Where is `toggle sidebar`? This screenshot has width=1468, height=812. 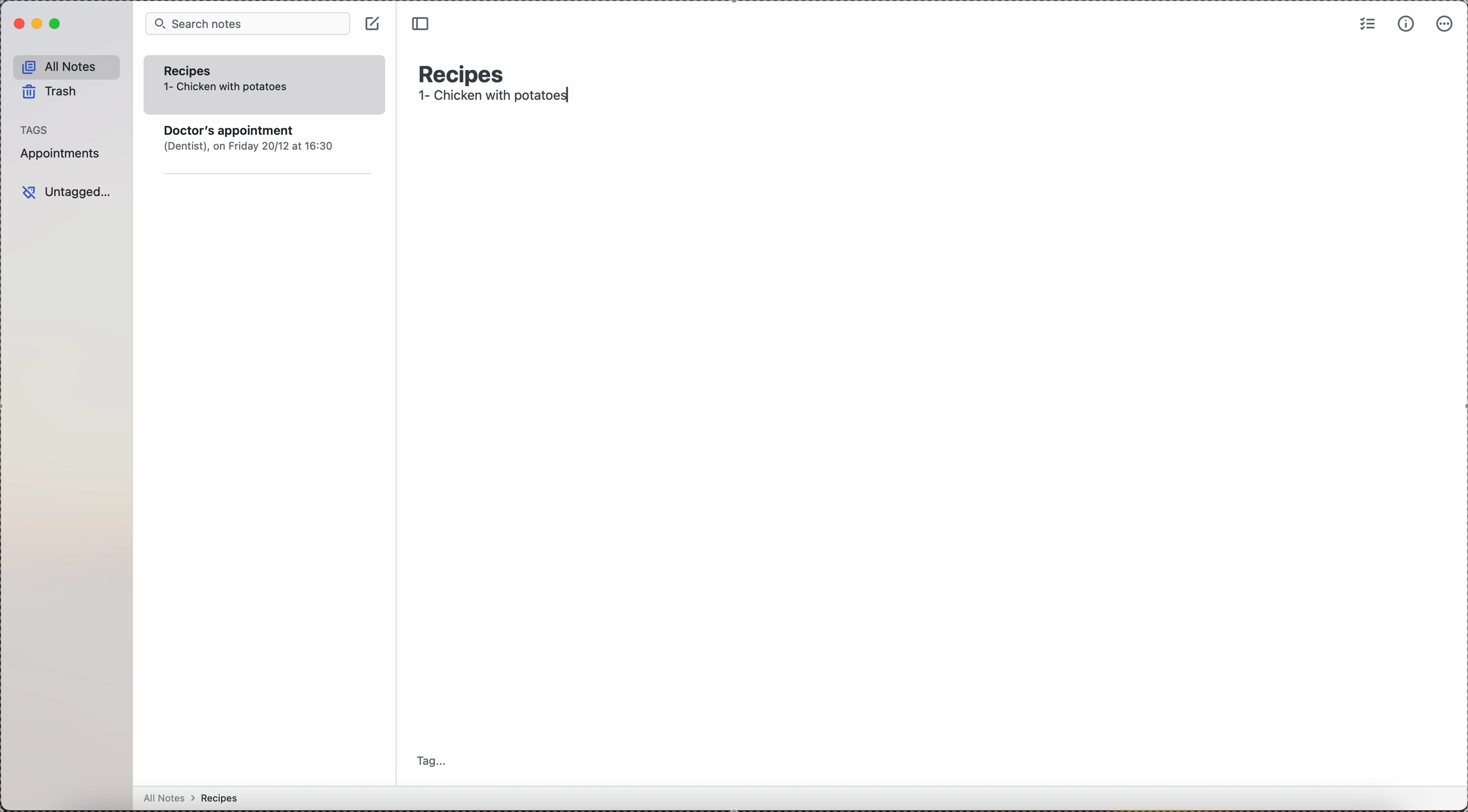 toggle sidebar is located at coordinates (419, 22).